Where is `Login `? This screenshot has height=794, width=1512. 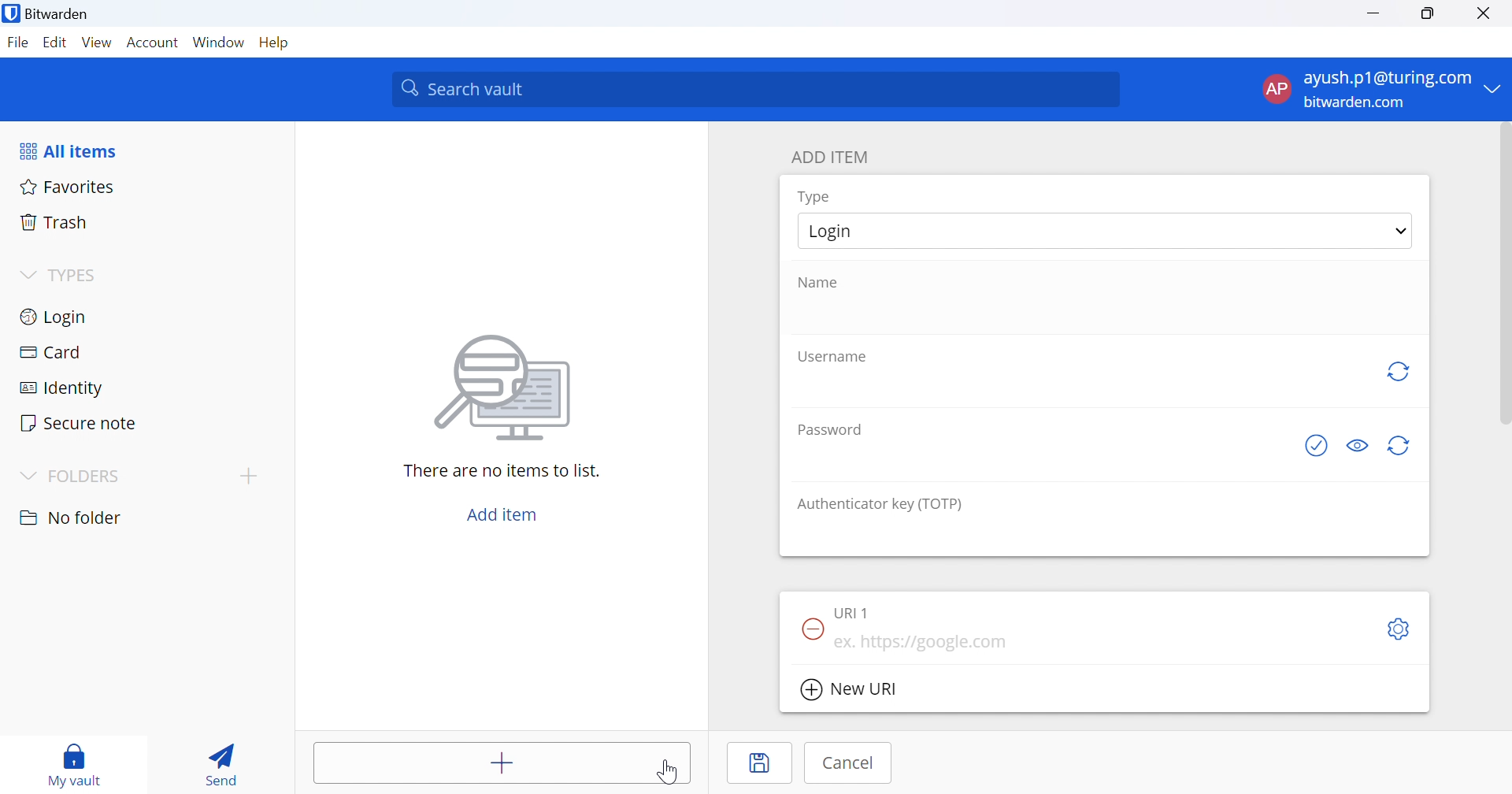
Login  is located at coordinates (851, 231).